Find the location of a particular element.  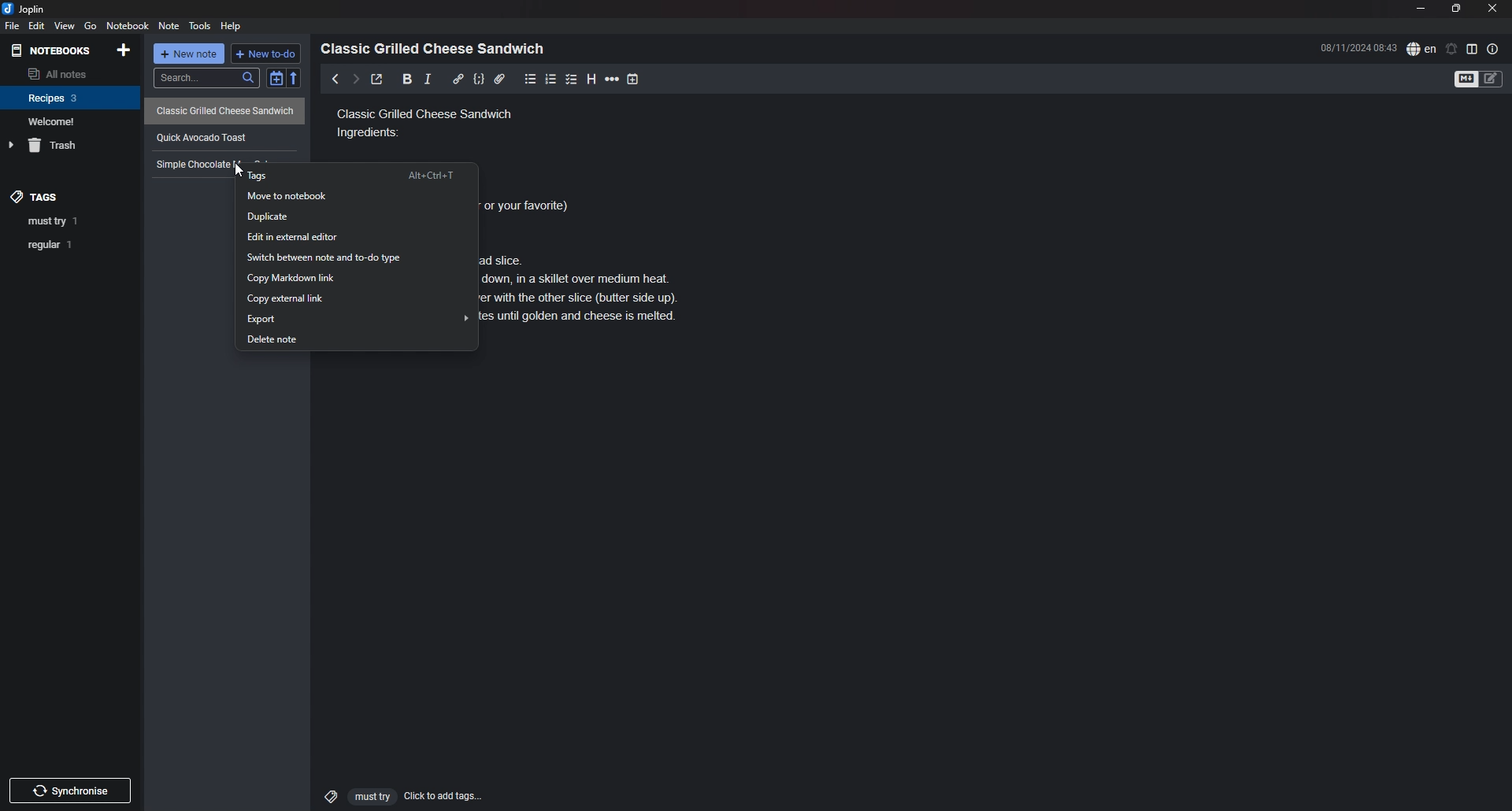

horizontal rule is located at coordinates (613, 79).